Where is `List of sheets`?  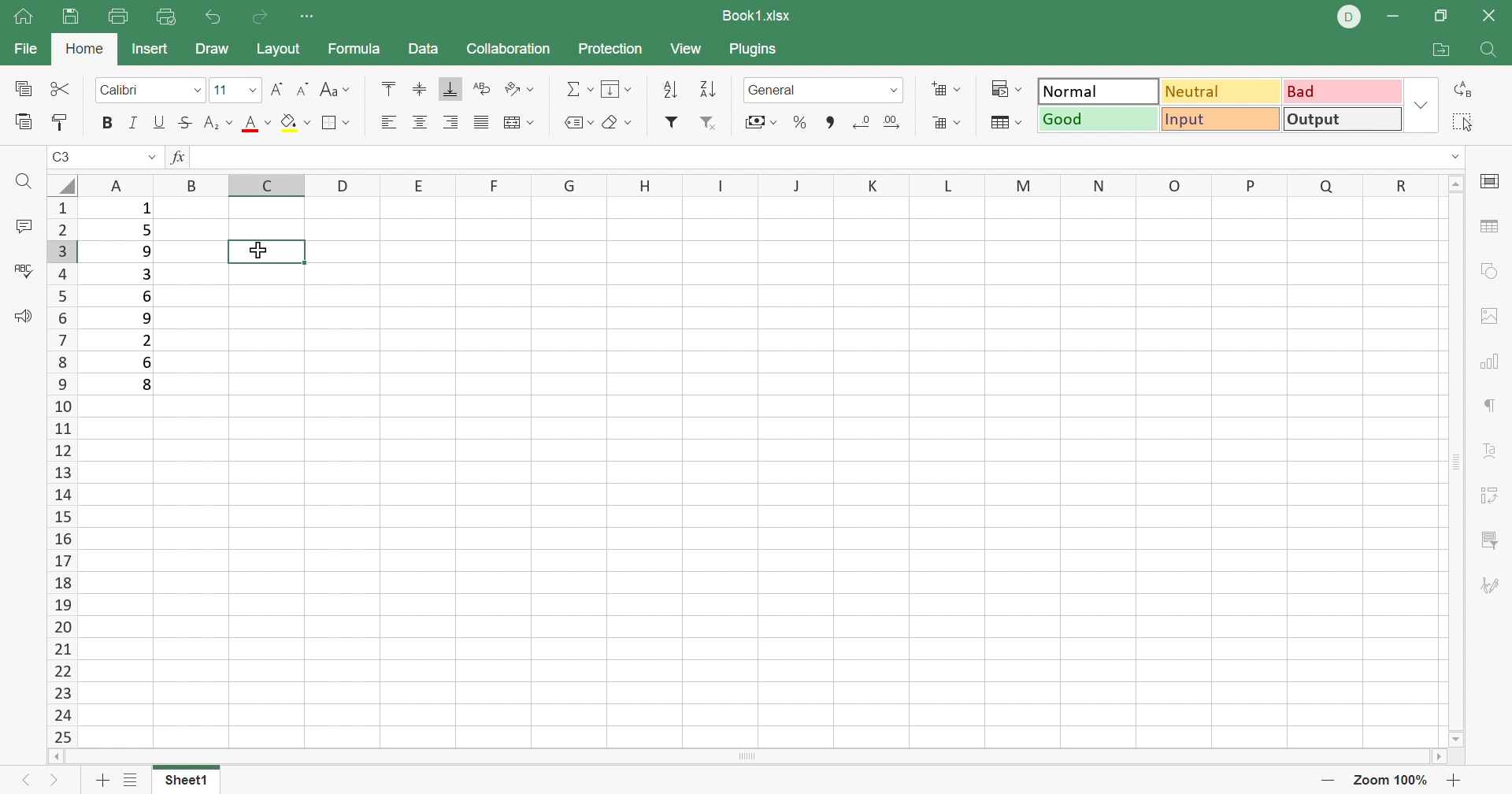
List of sheets is located at coordinates (135, 780).